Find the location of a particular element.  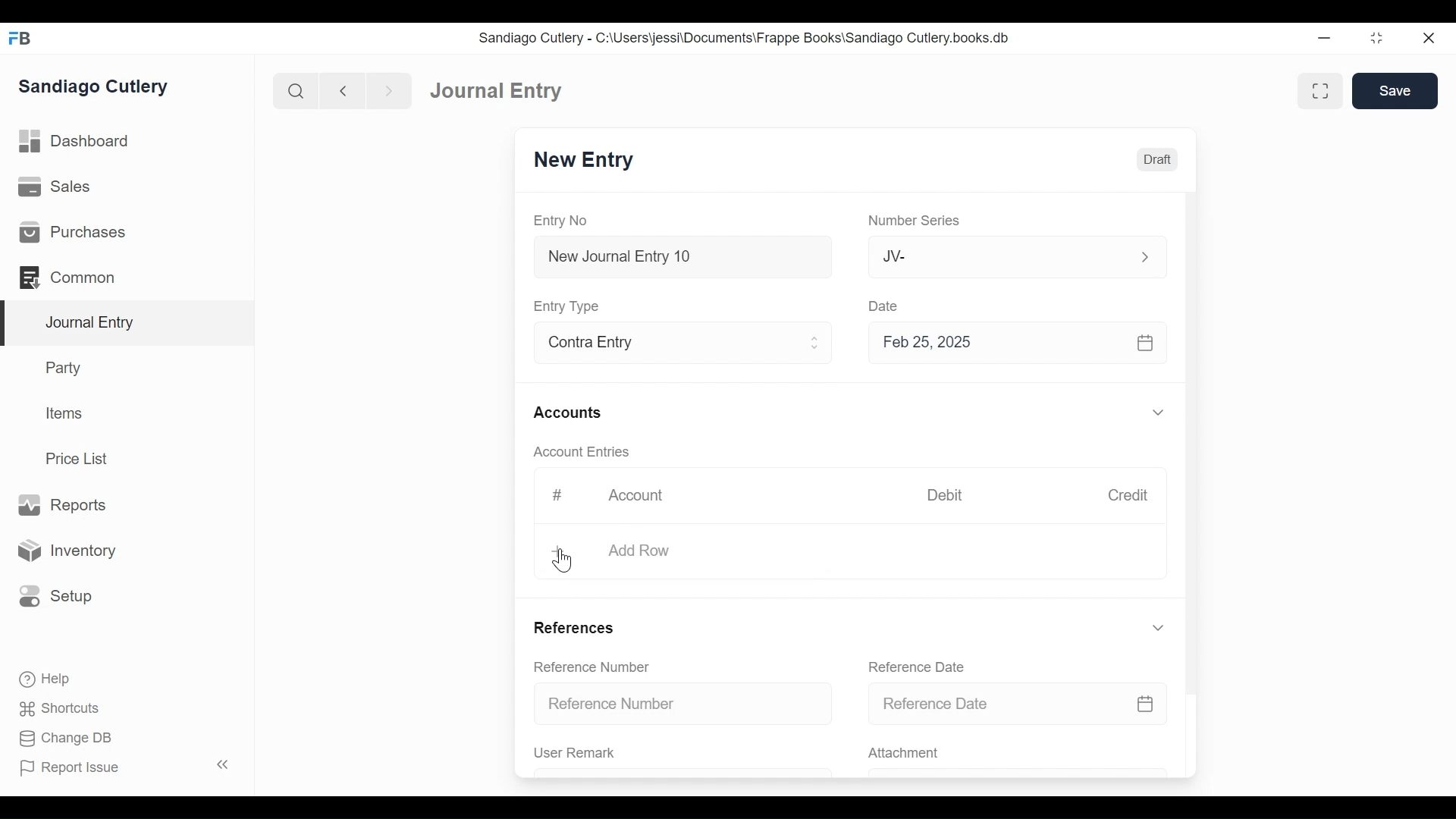

JV- is located at coordinates (998, 256).